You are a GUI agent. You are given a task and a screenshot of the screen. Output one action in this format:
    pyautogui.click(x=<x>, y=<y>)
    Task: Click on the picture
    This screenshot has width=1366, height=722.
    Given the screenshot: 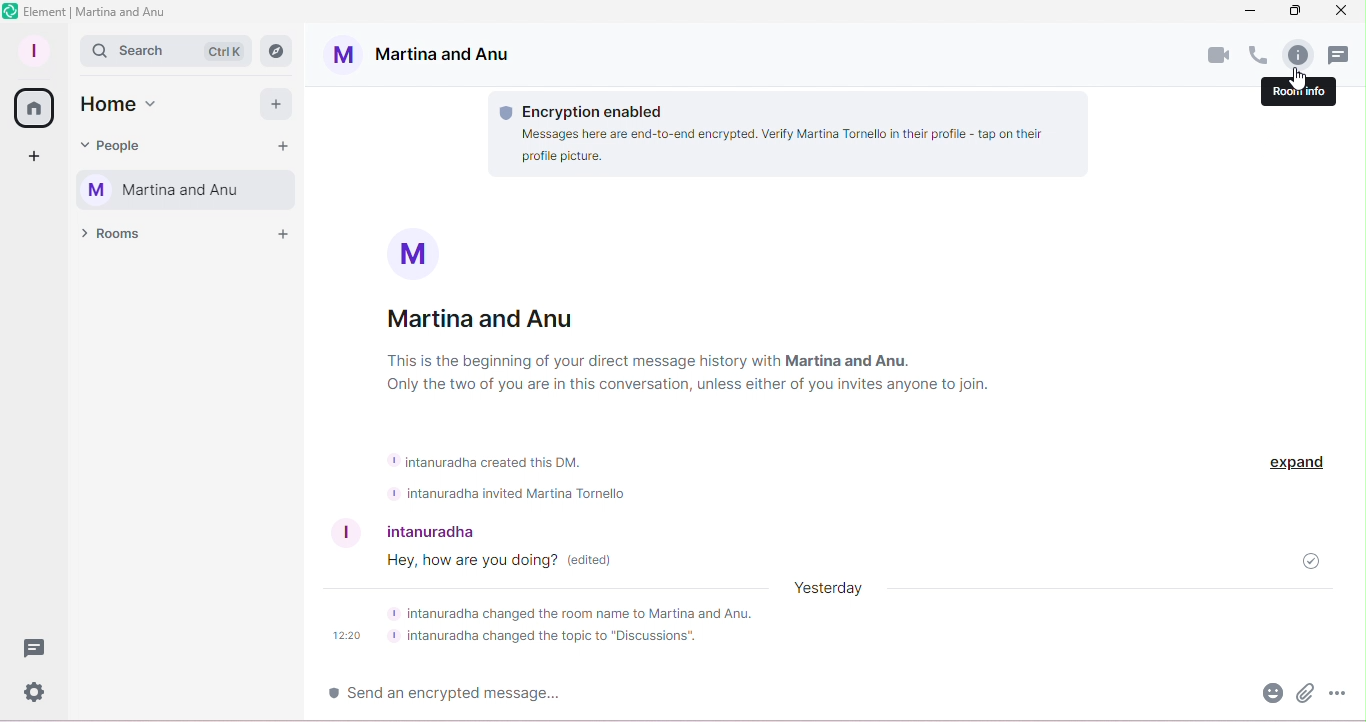 What is the action you would take?
    pyautogui.click(x=415, y=255)
    